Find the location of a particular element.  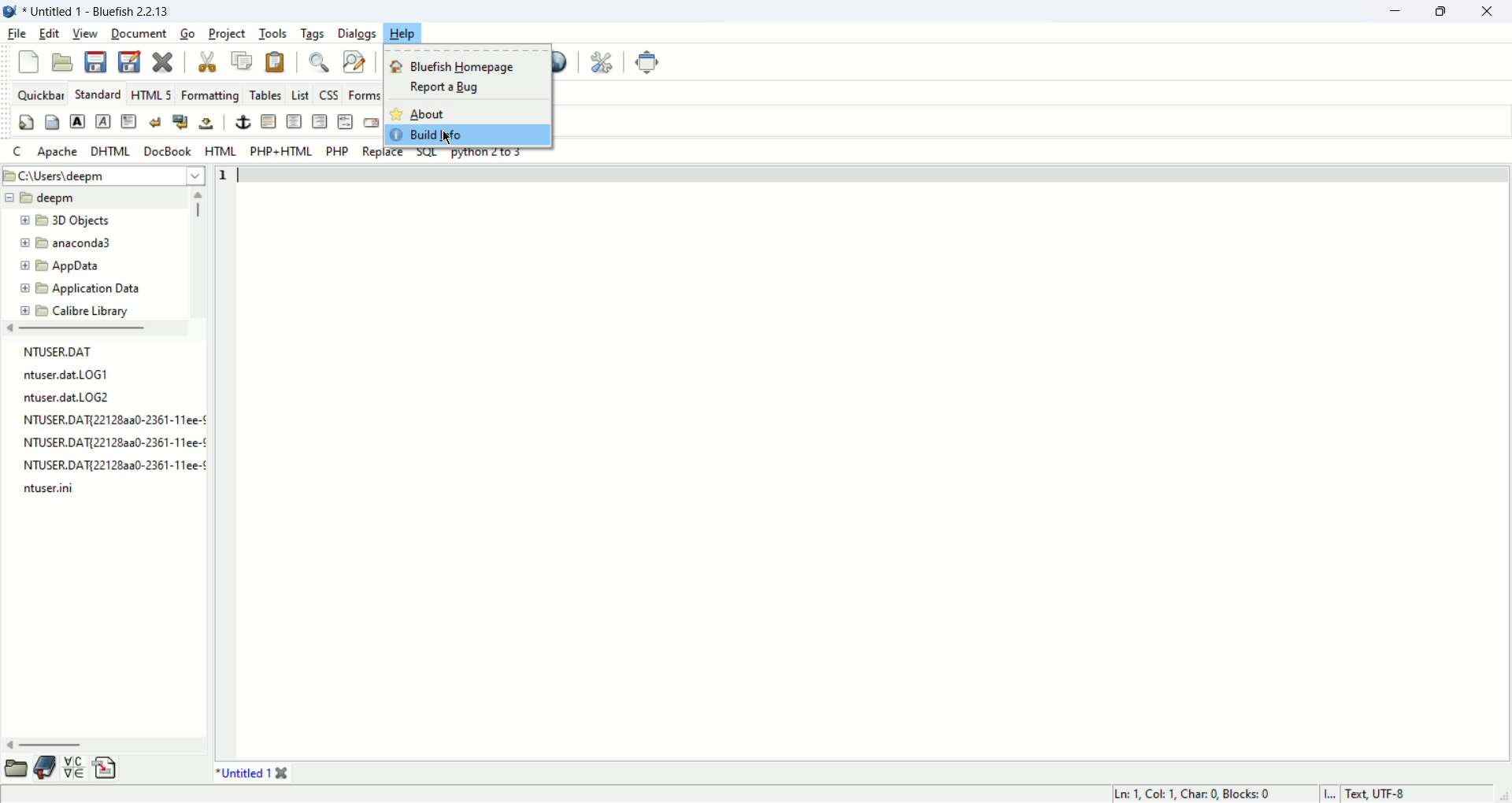

quick settings is located at coordinates (28, 123).